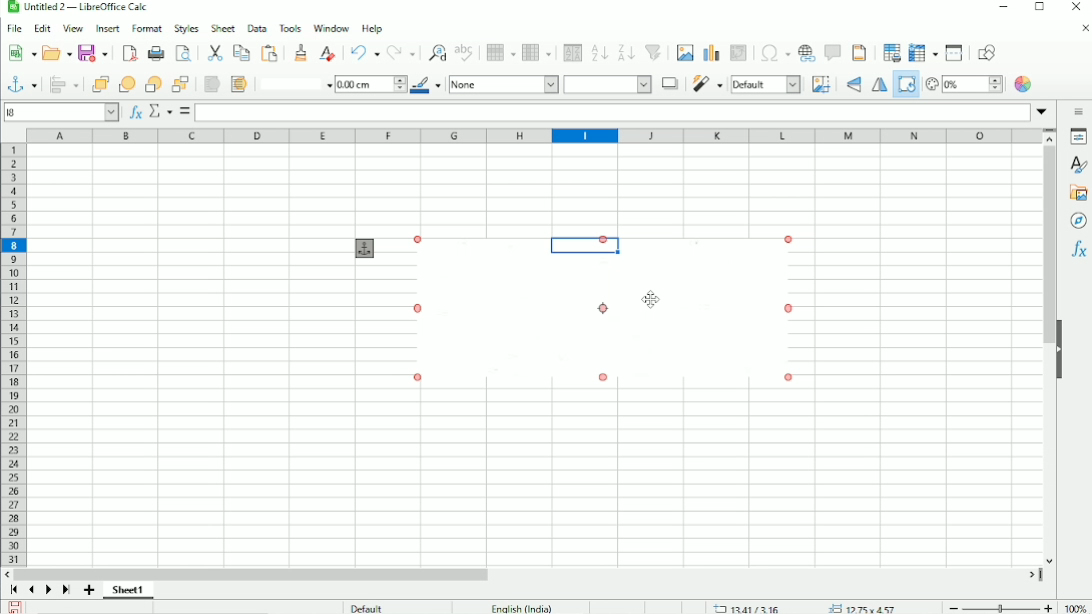 The width and height of the screenshot is (1092, 614). What do you see at coordinates (605, 311) in the screenshot?
I see `Image` at bounding box center [605, 311].